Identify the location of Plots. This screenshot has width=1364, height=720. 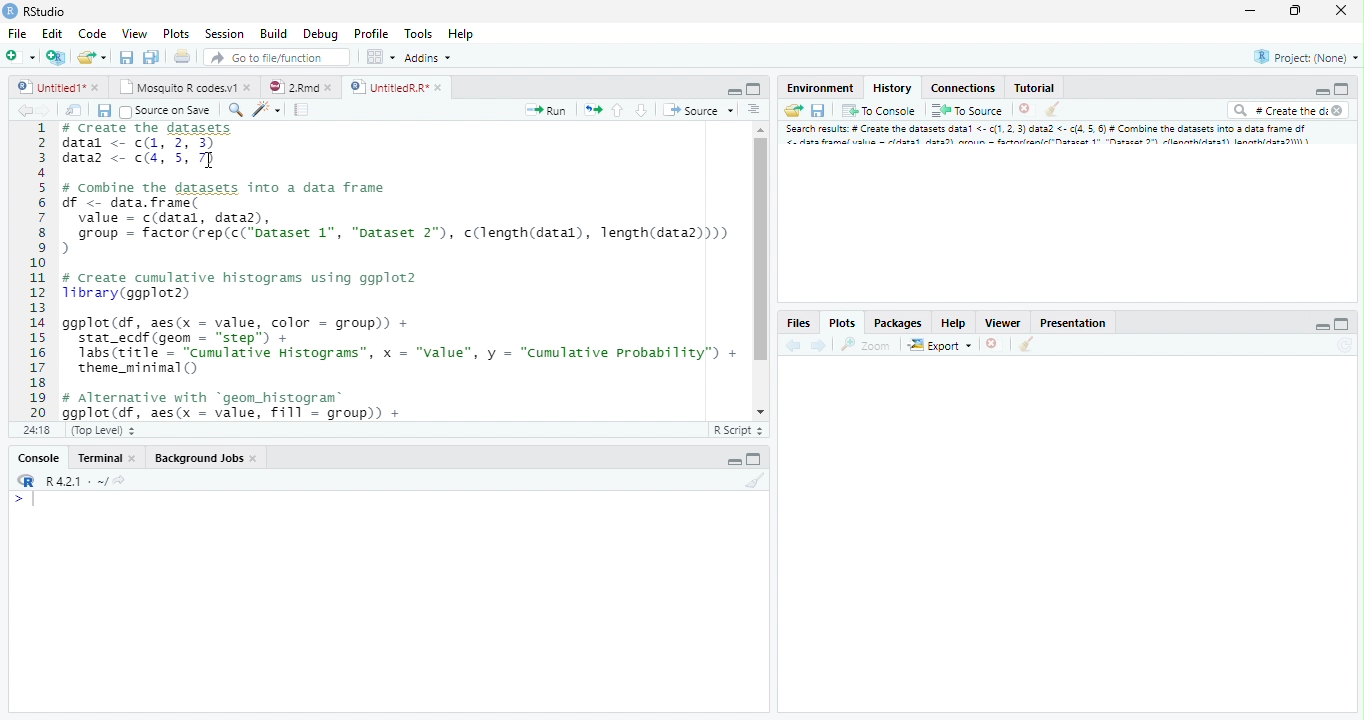
(841, 322).